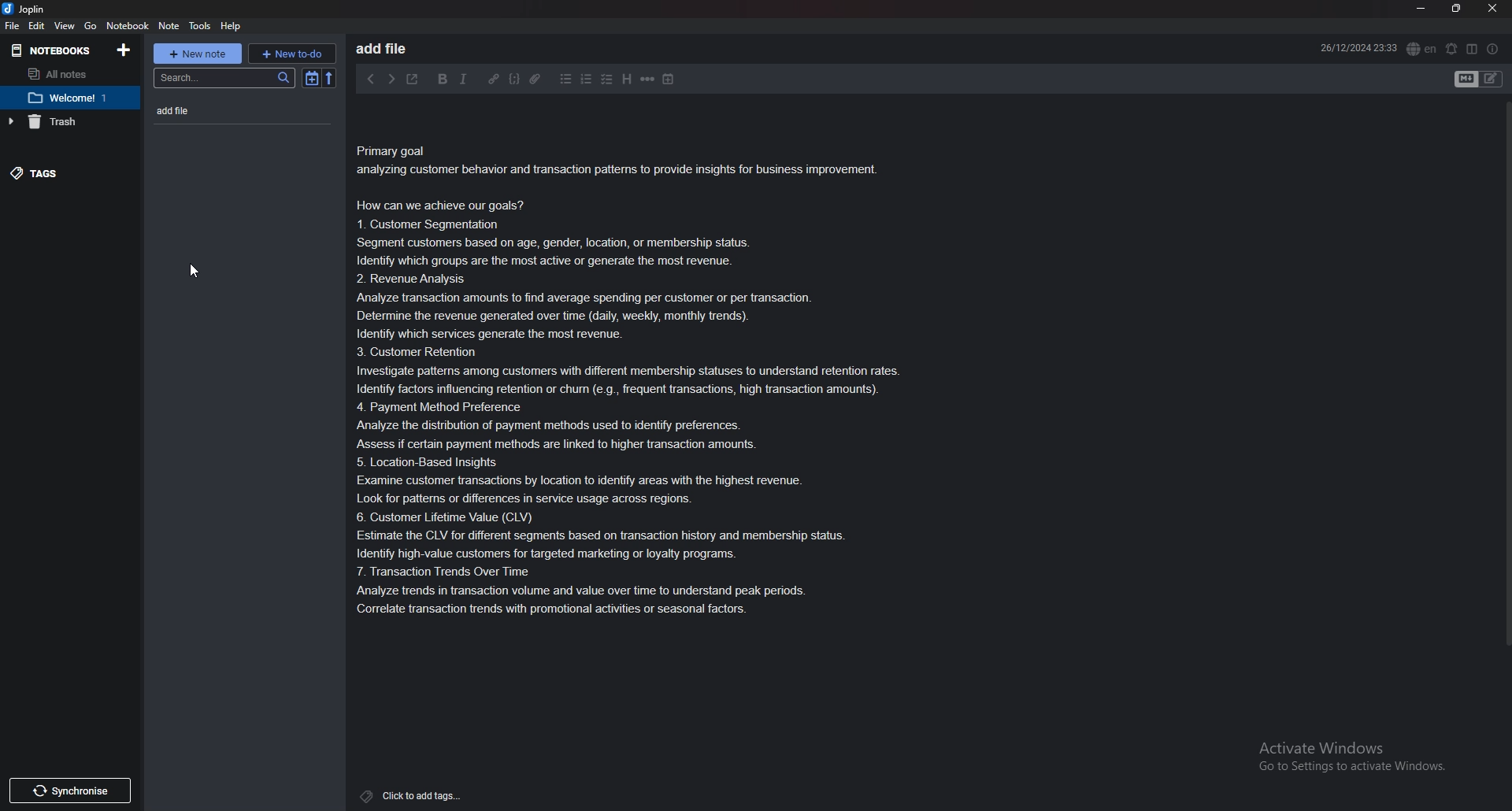  I want to click on add file note, so click(225, 111).